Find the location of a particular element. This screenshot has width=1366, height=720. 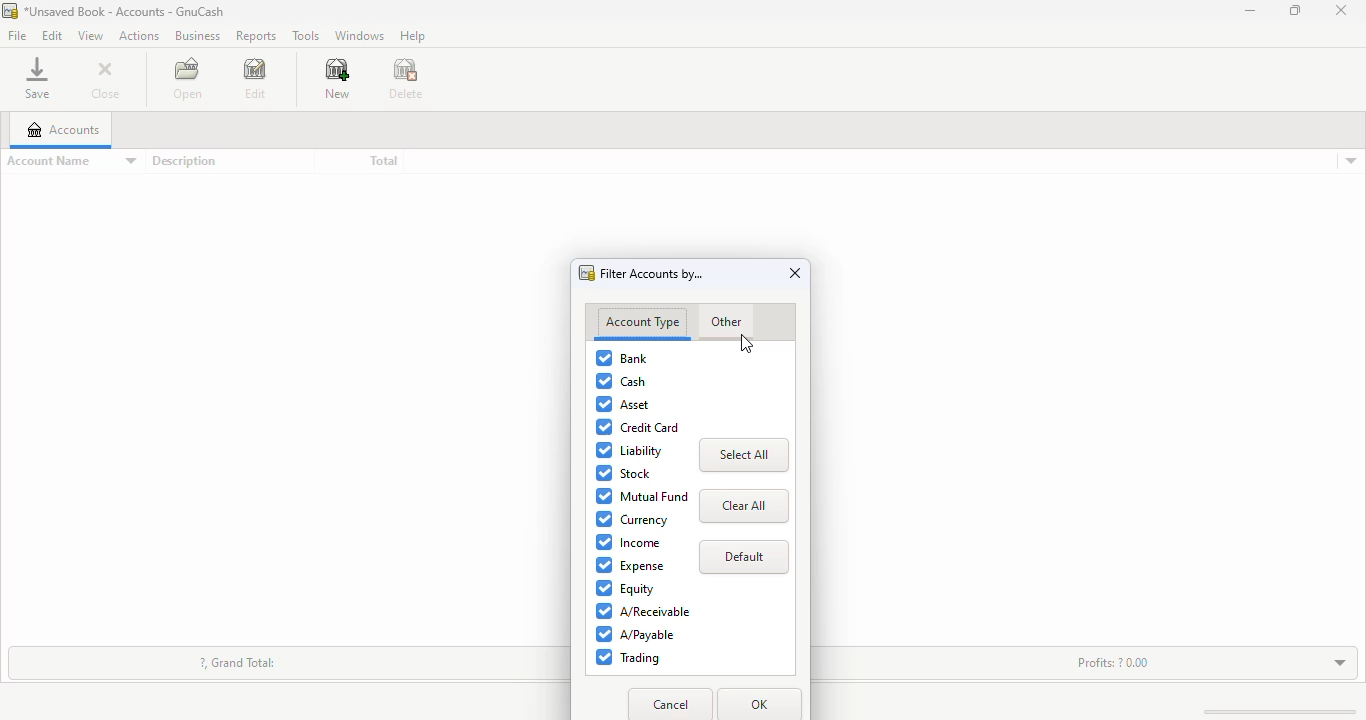

account type is located at coordinates (642, 322).